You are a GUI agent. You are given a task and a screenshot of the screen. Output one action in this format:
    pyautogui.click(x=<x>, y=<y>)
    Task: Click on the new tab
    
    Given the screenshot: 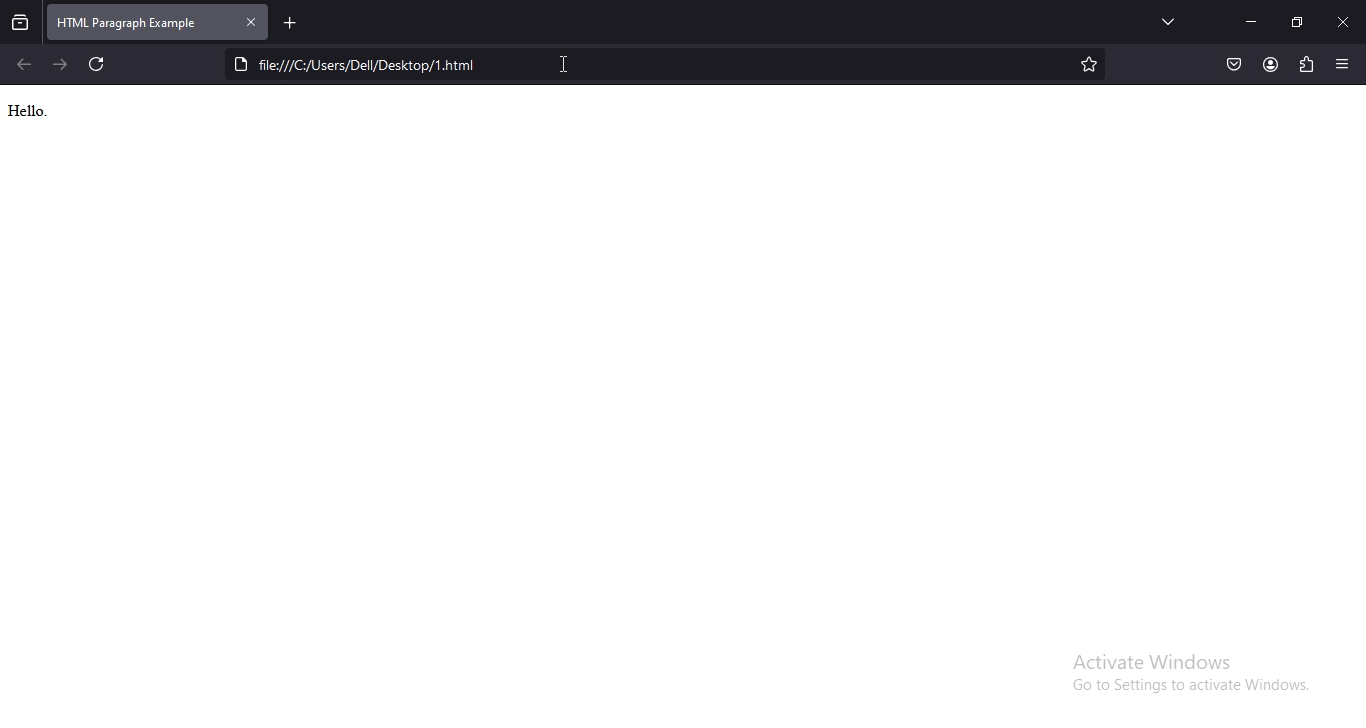 What is the action you would take?
    pyautogui.click(x=292, y=24)
    